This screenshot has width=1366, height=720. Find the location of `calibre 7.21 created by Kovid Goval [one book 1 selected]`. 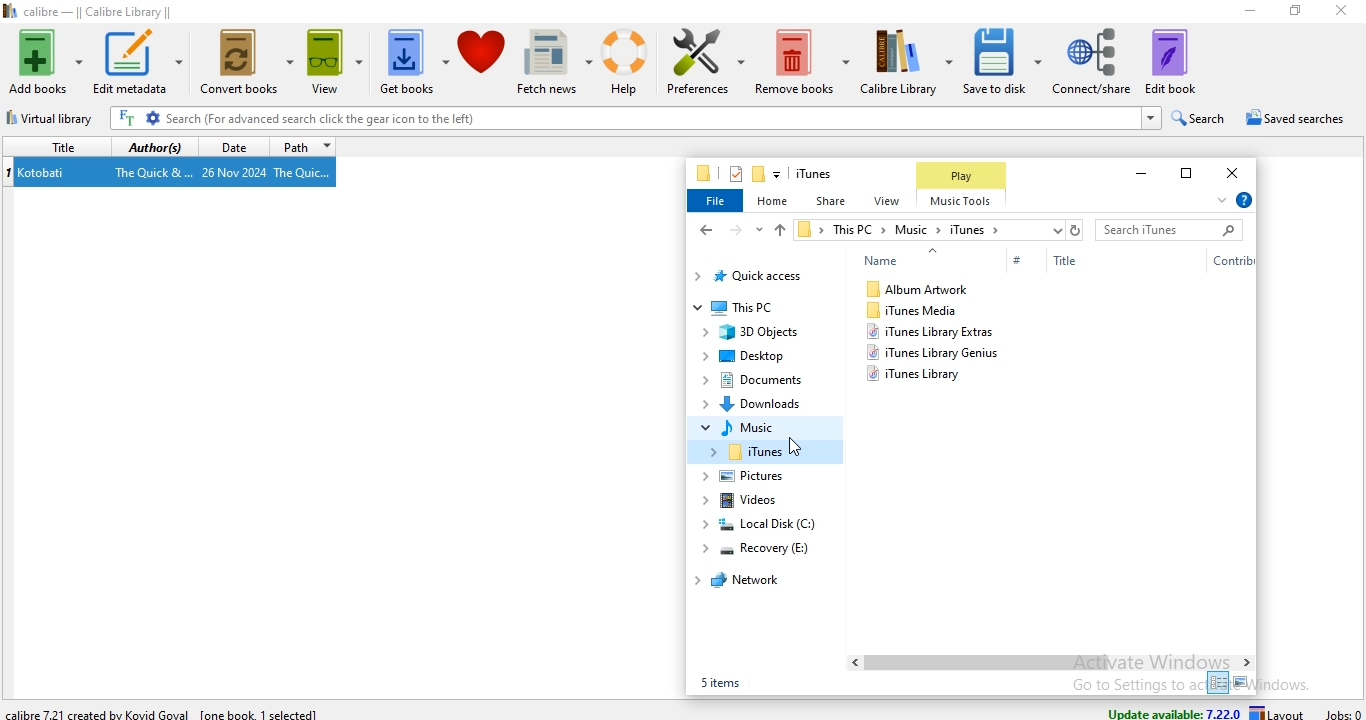

calibre 7.21 created by Kovid Goval [one book 1 selected] is located at coordinates (164, 710).